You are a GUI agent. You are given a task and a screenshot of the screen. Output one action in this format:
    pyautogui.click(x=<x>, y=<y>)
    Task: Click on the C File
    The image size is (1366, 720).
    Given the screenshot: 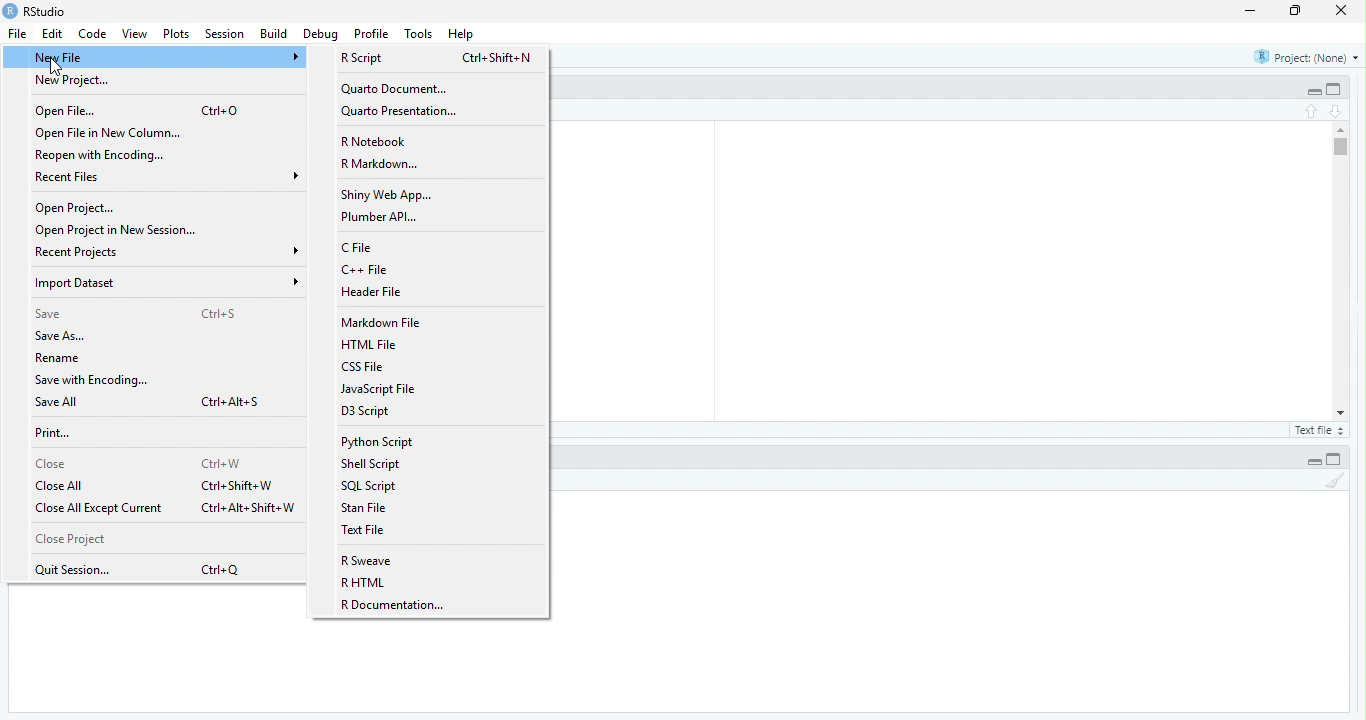 What is the action you would take?
    pyautogui.click(x=360, y=248)
    